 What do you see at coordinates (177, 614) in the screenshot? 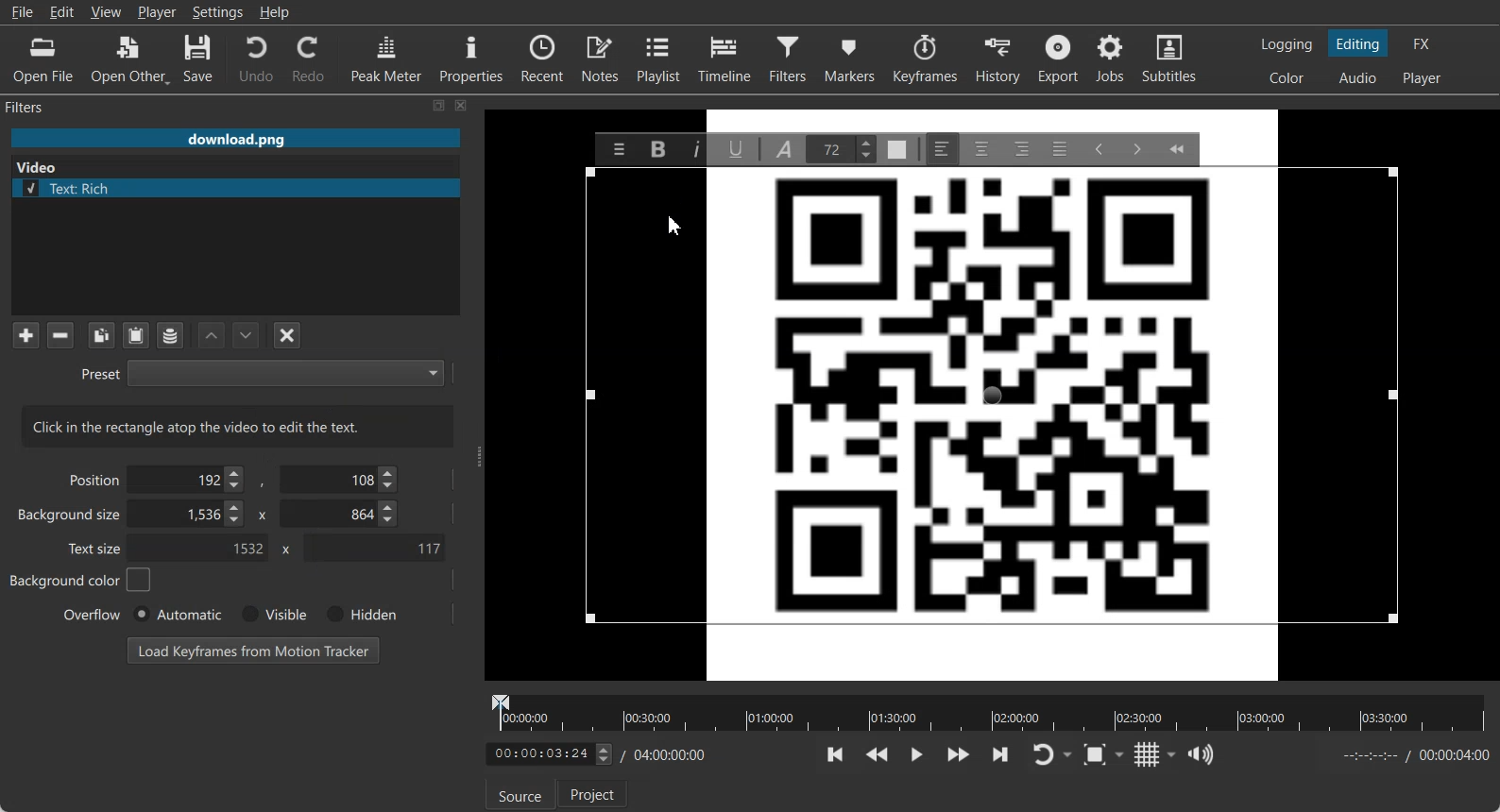
I see `Automatic` at bounding box center [177, 614].